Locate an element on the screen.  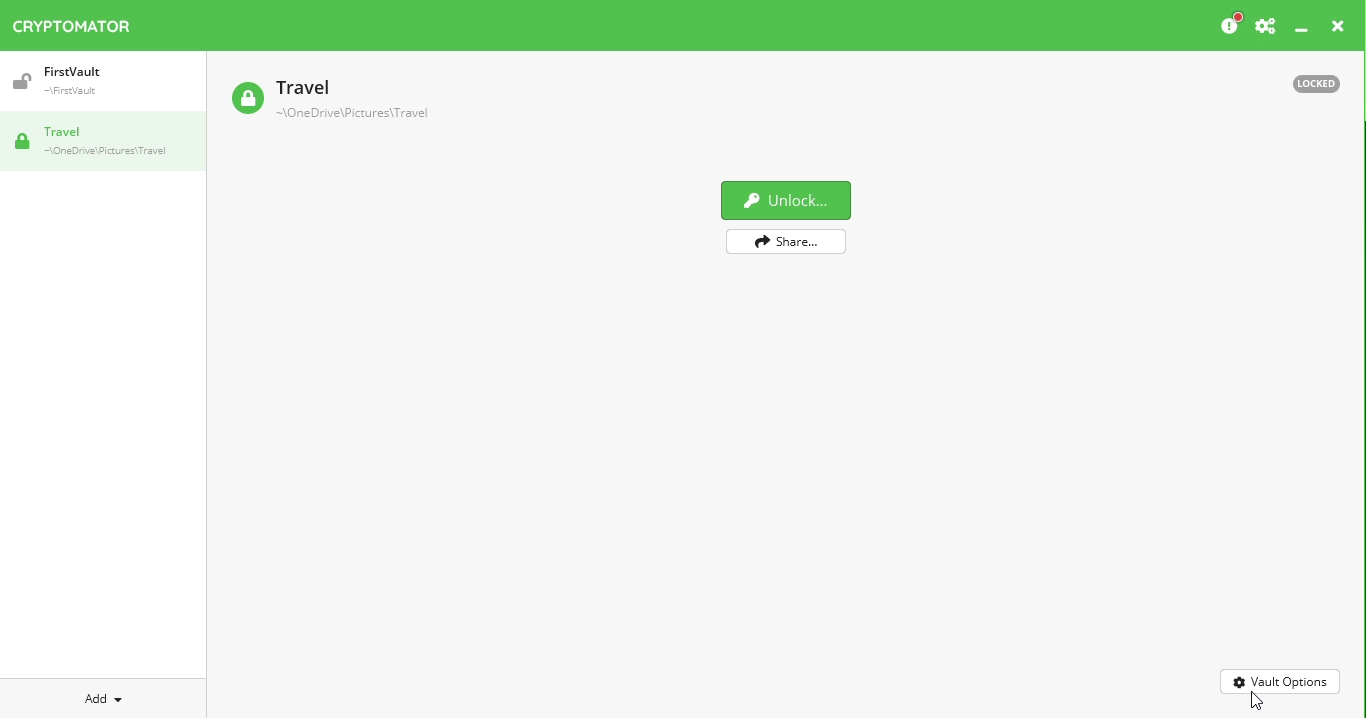
Cryptomator icon is located at coordinates (82, 22).